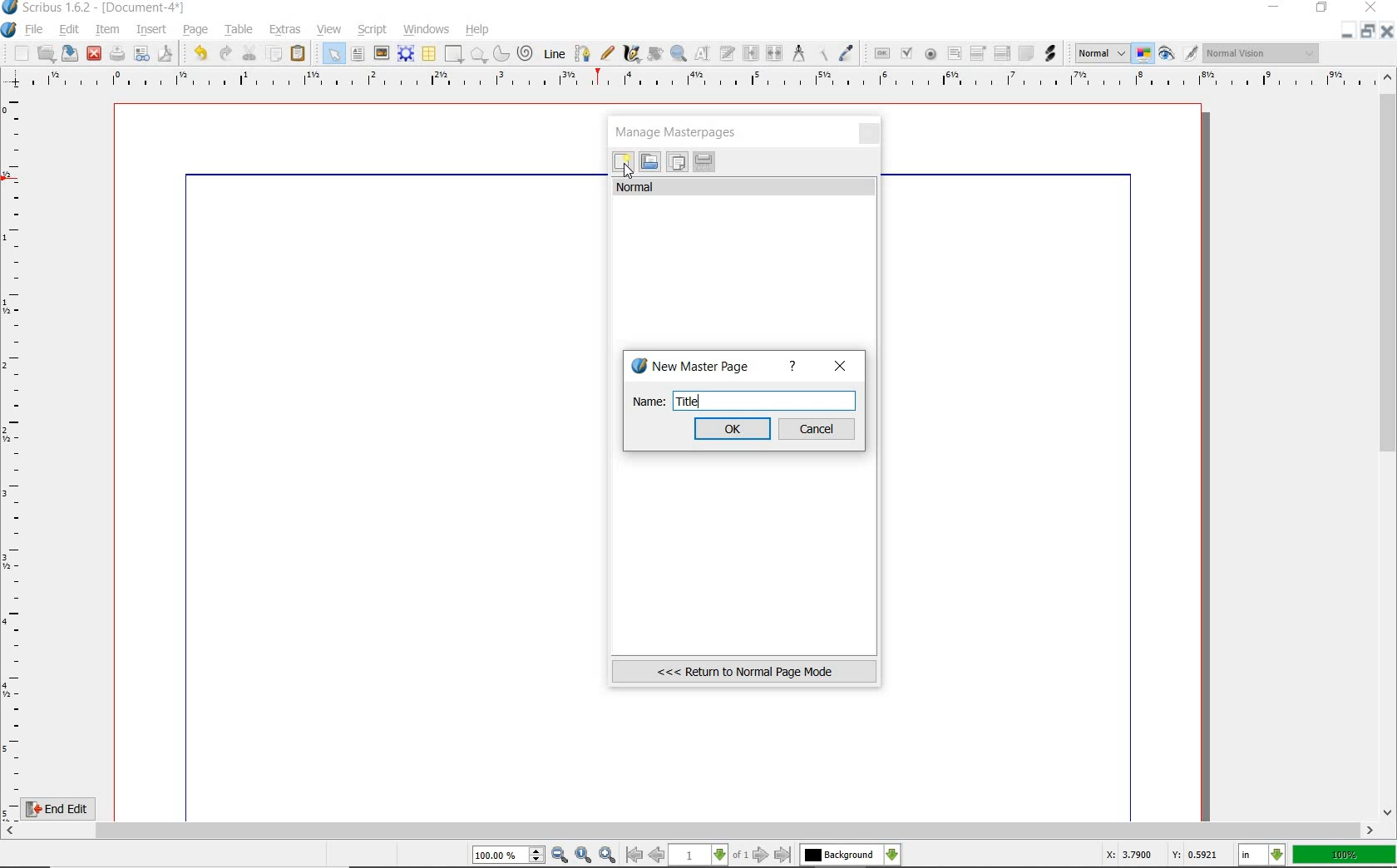 The width and height of the screenshot is (1397, 868). I want to click on image frame, so click(382, 53).